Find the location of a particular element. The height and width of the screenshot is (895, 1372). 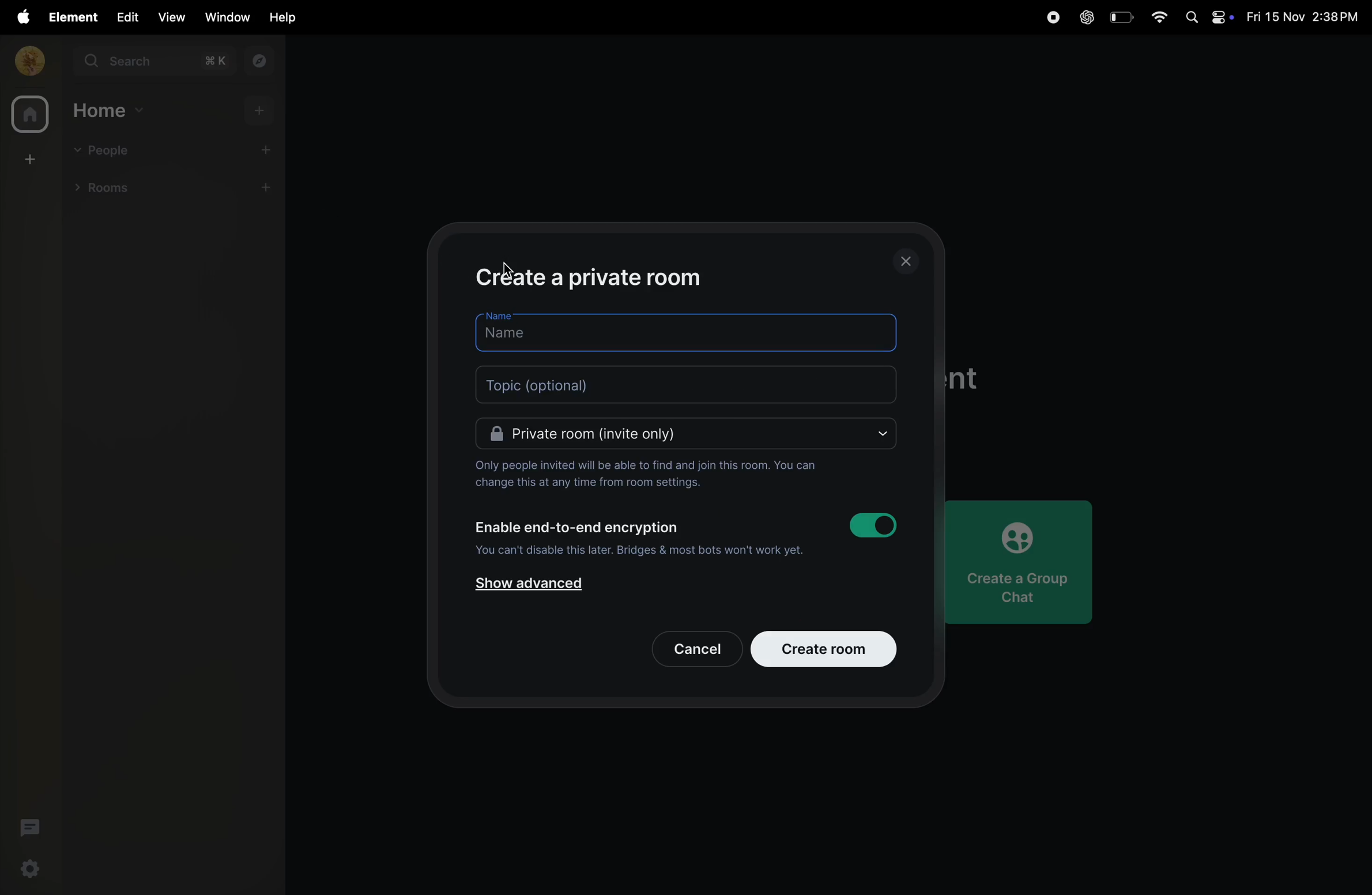

profile is located at coordinates (26, 60).